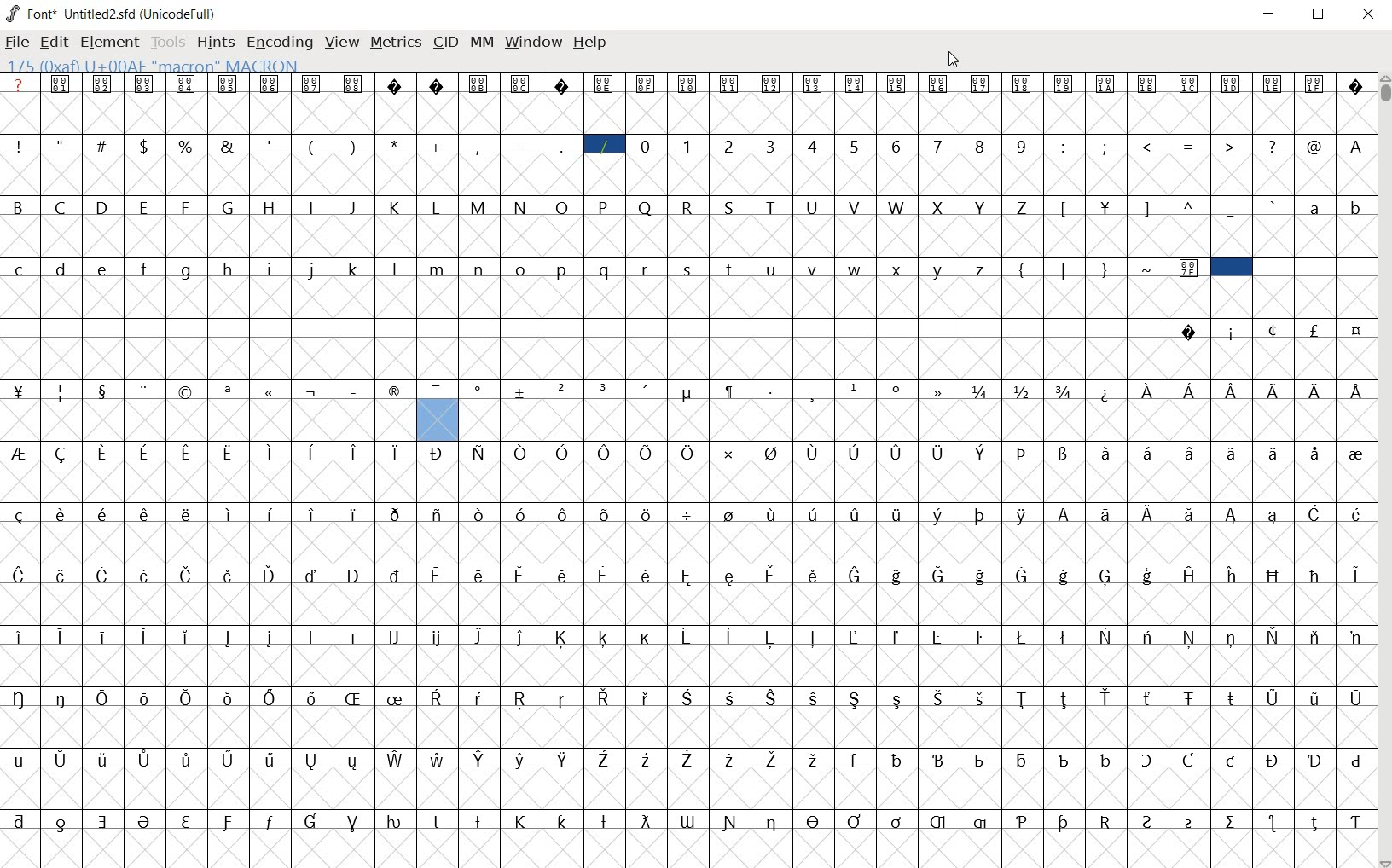  Describe the element at coordinates (814, 514) in the screenshot. I see `Symbol` at that location.